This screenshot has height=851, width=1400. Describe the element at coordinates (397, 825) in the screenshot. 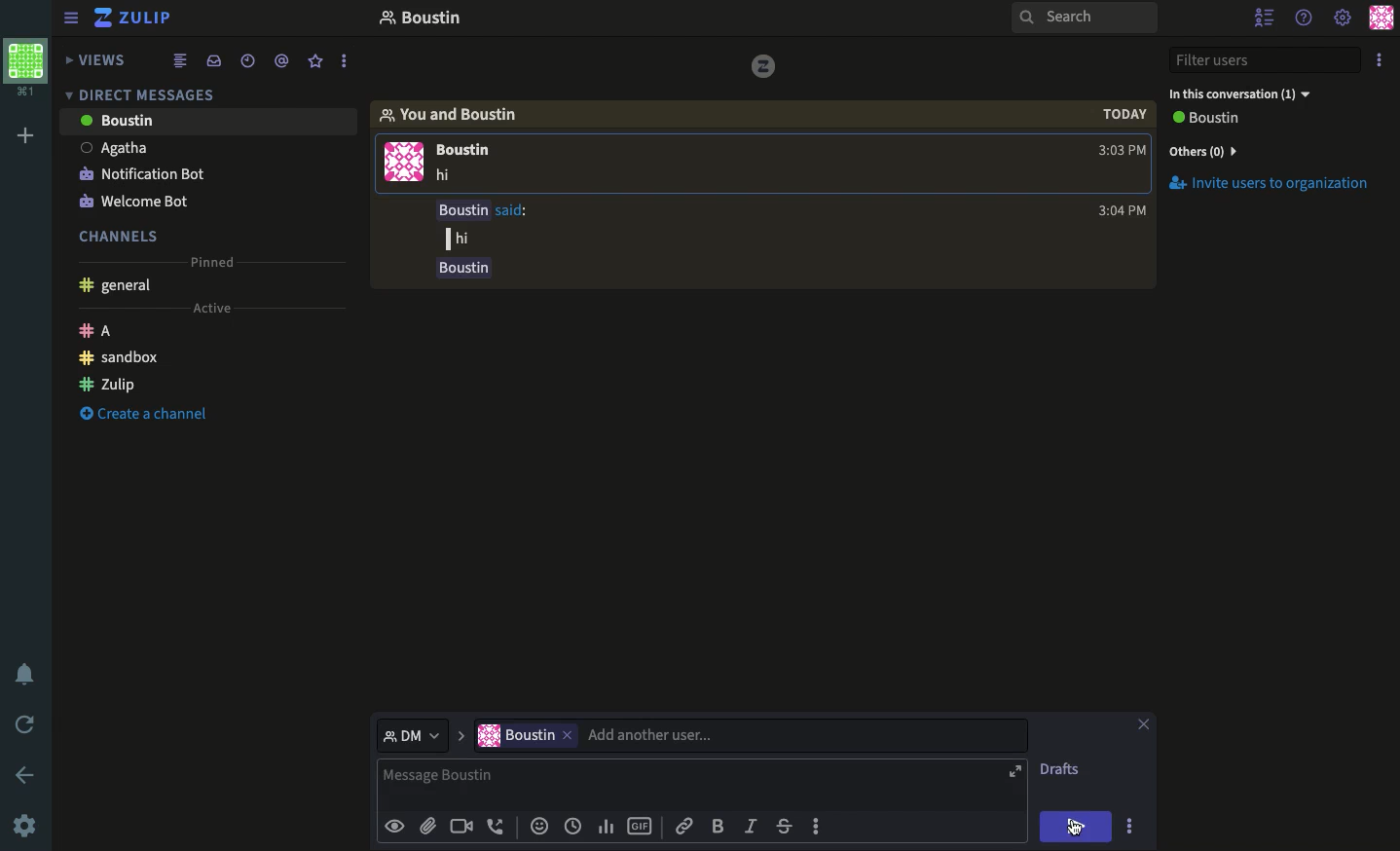

I see `Preview` at that location.